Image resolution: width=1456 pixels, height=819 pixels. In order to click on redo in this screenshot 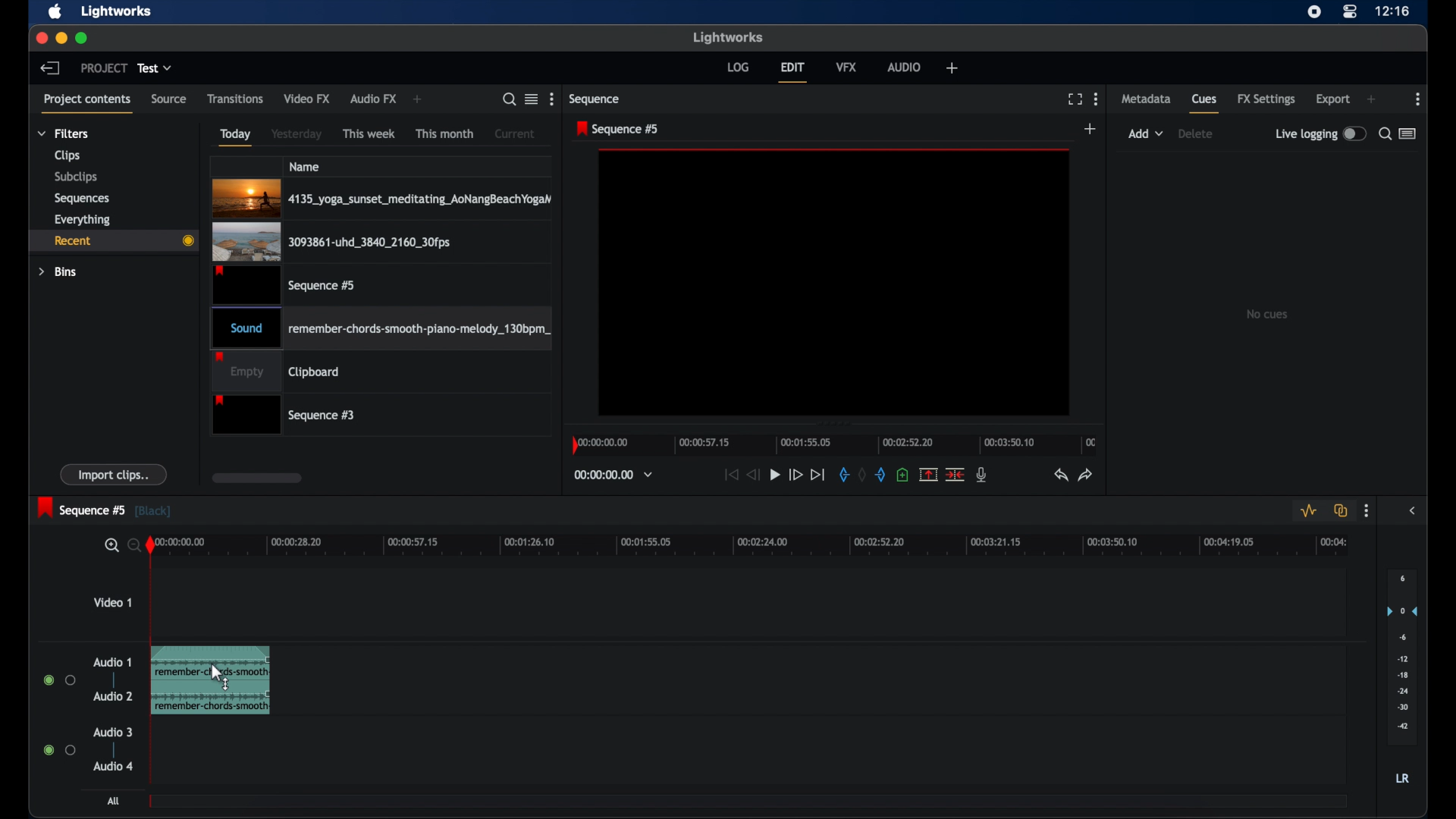, I will do `click(1084, 475)`.